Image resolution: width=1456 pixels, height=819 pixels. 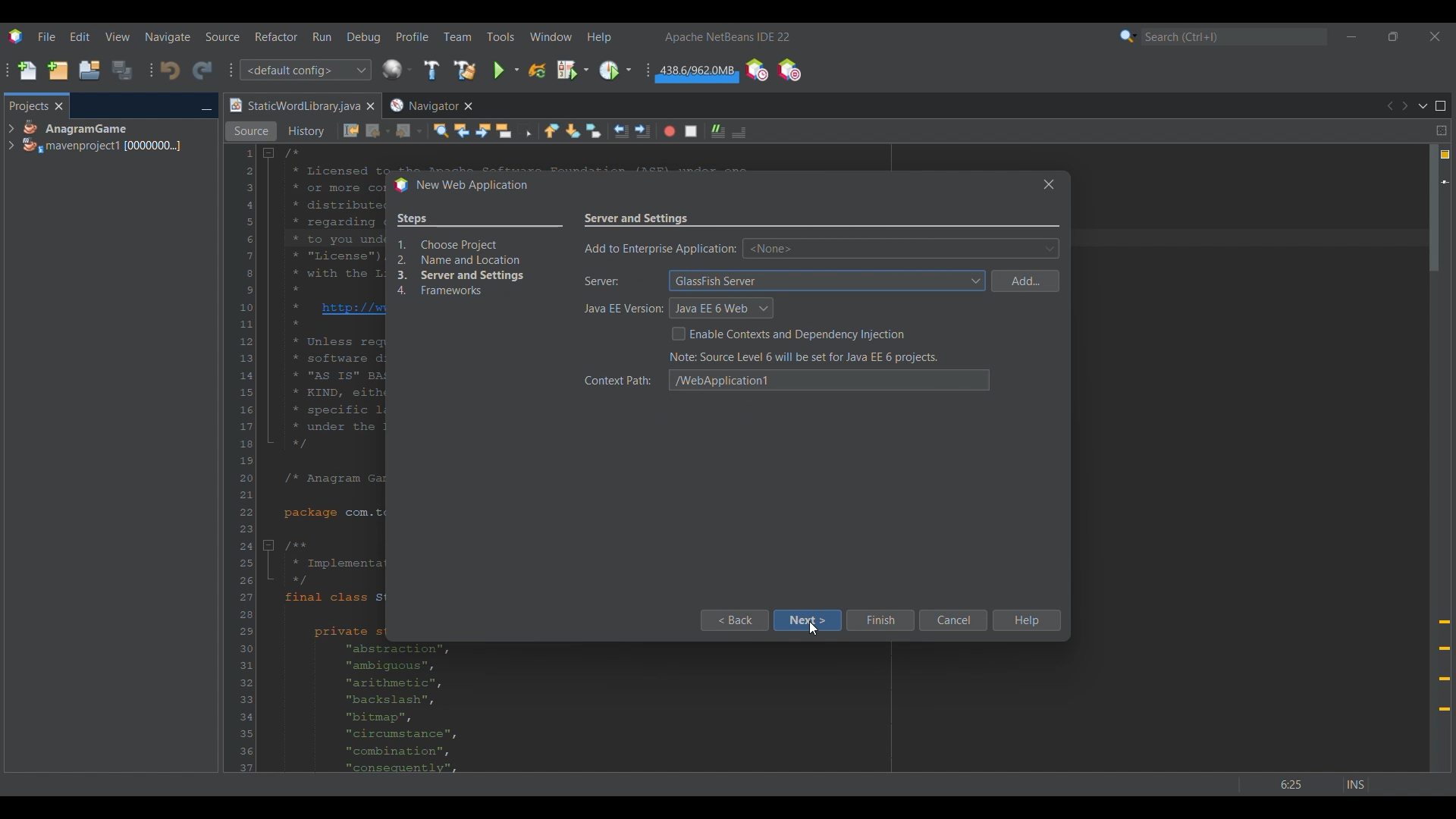 I want to click on Back, so click(x=733, y=620).